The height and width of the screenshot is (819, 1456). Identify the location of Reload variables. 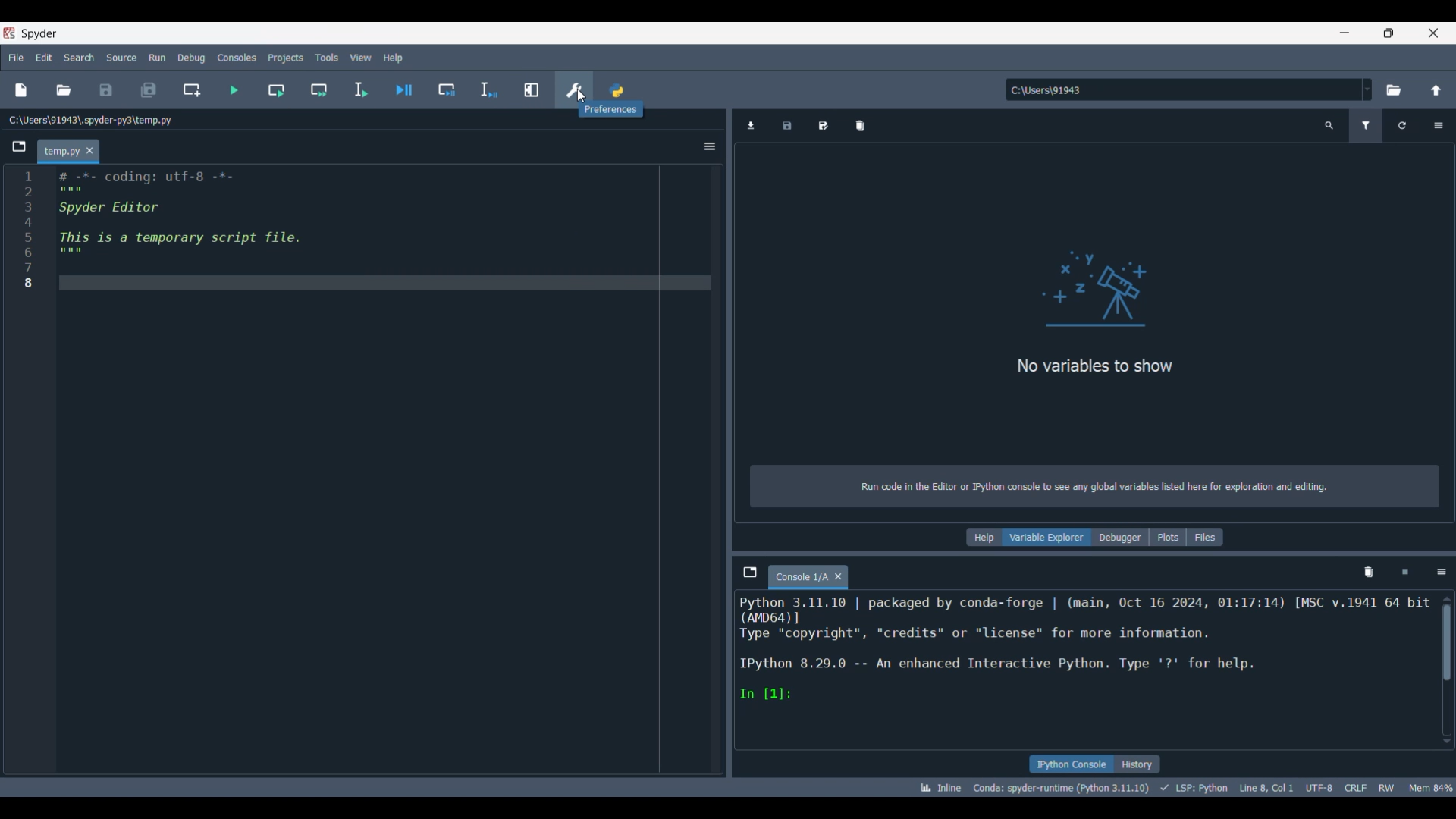
(1401, 126).